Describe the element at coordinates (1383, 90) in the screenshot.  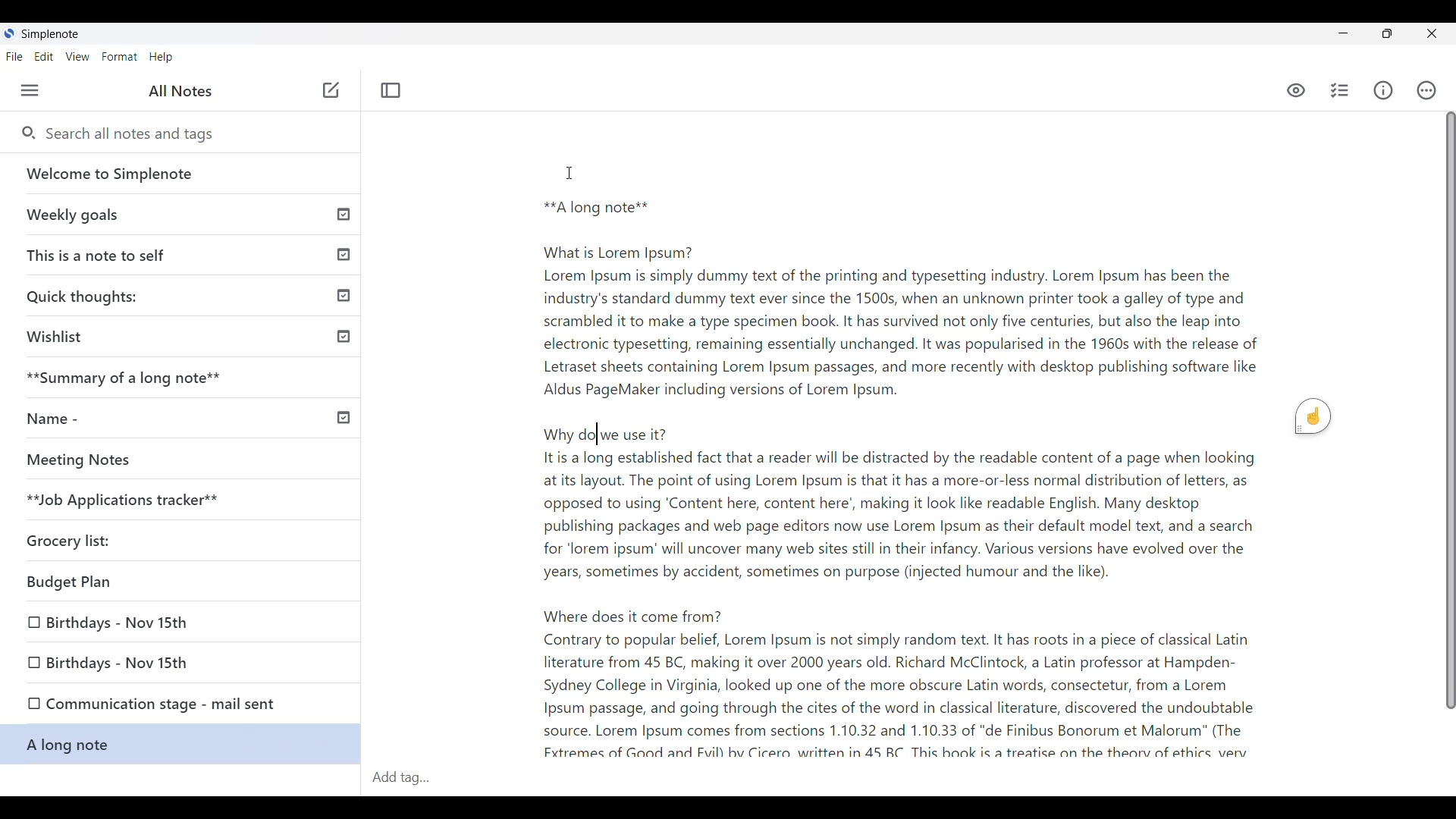
I see `Info` at that location.